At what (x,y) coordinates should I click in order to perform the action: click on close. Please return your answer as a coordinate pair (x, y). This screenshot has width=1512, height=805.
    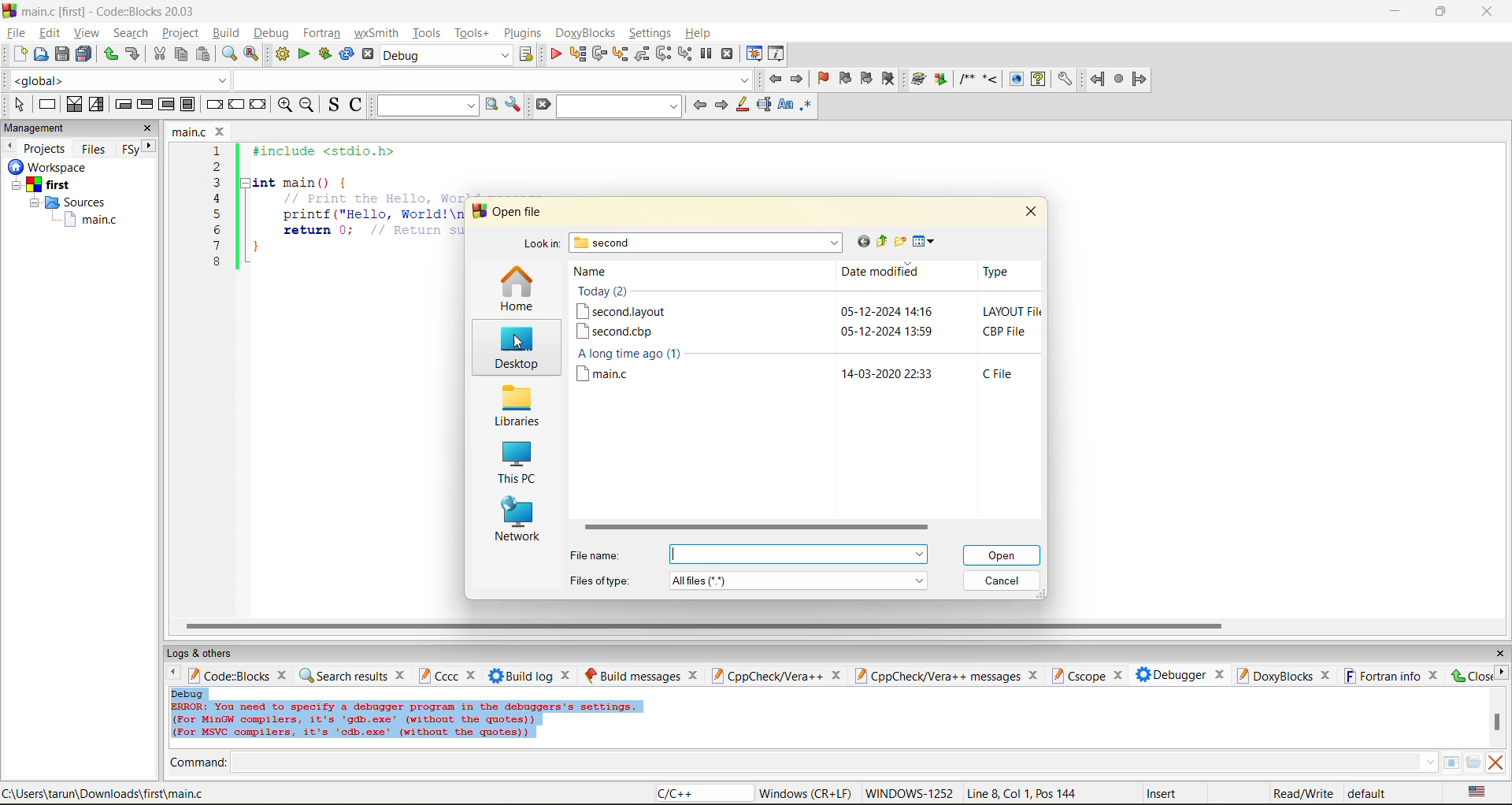
    Looking at the image, I should click on (1036, 675).